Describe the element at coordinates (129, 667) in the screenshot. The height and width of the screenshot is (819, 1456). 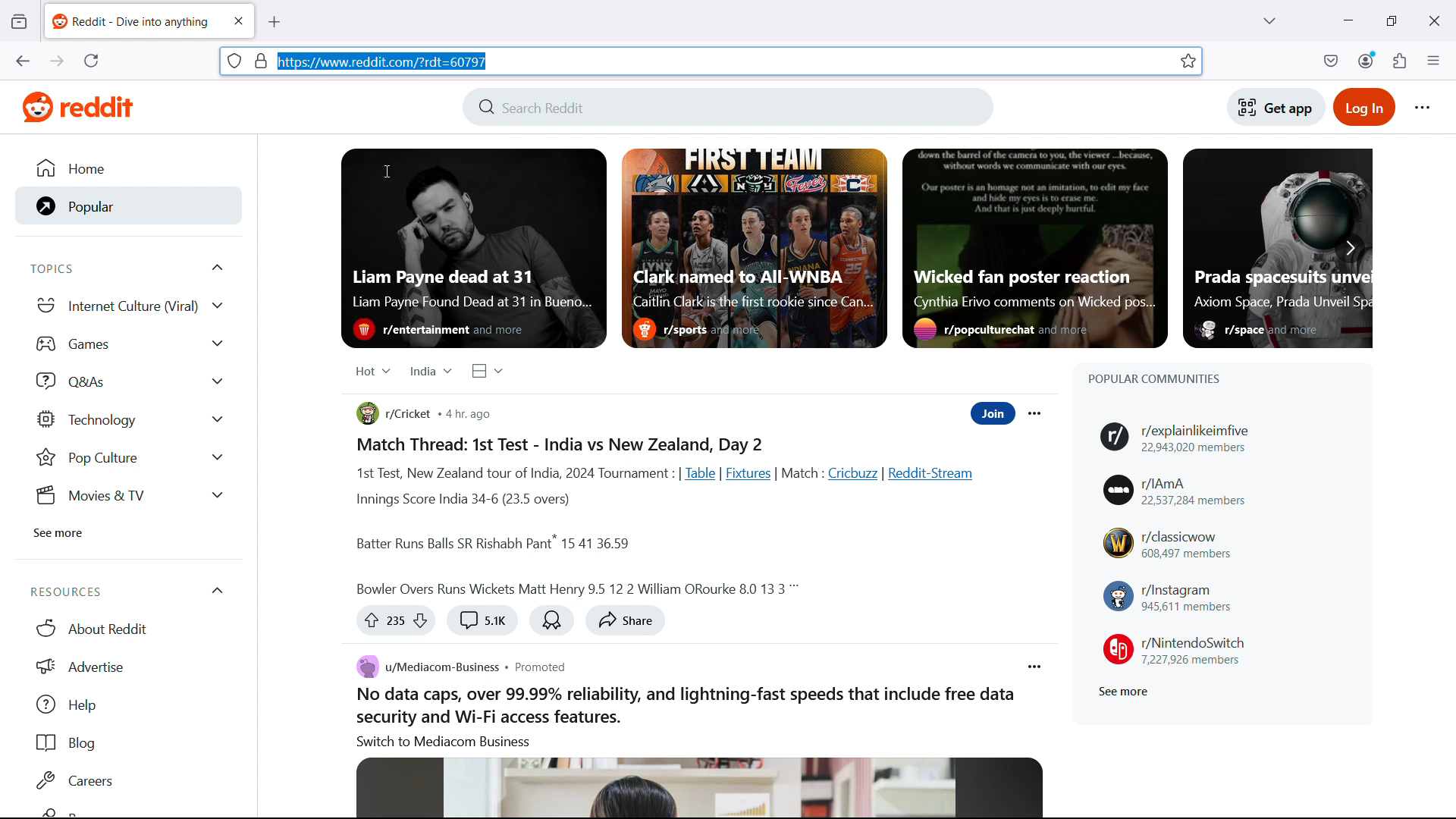
I see `Advertise` at that location.